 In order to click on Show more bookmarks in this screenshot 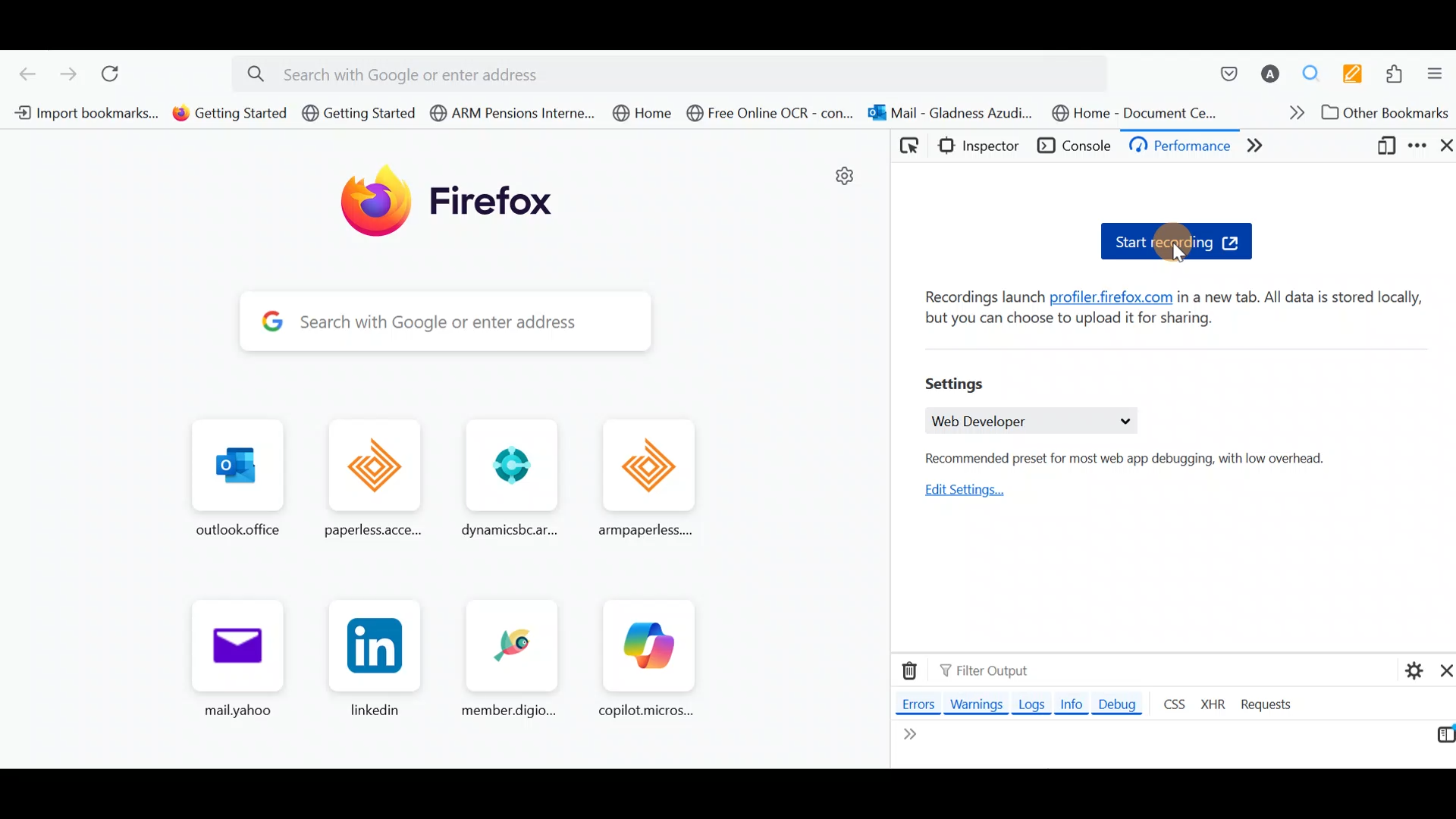, I will do `click(1291, 116)`.